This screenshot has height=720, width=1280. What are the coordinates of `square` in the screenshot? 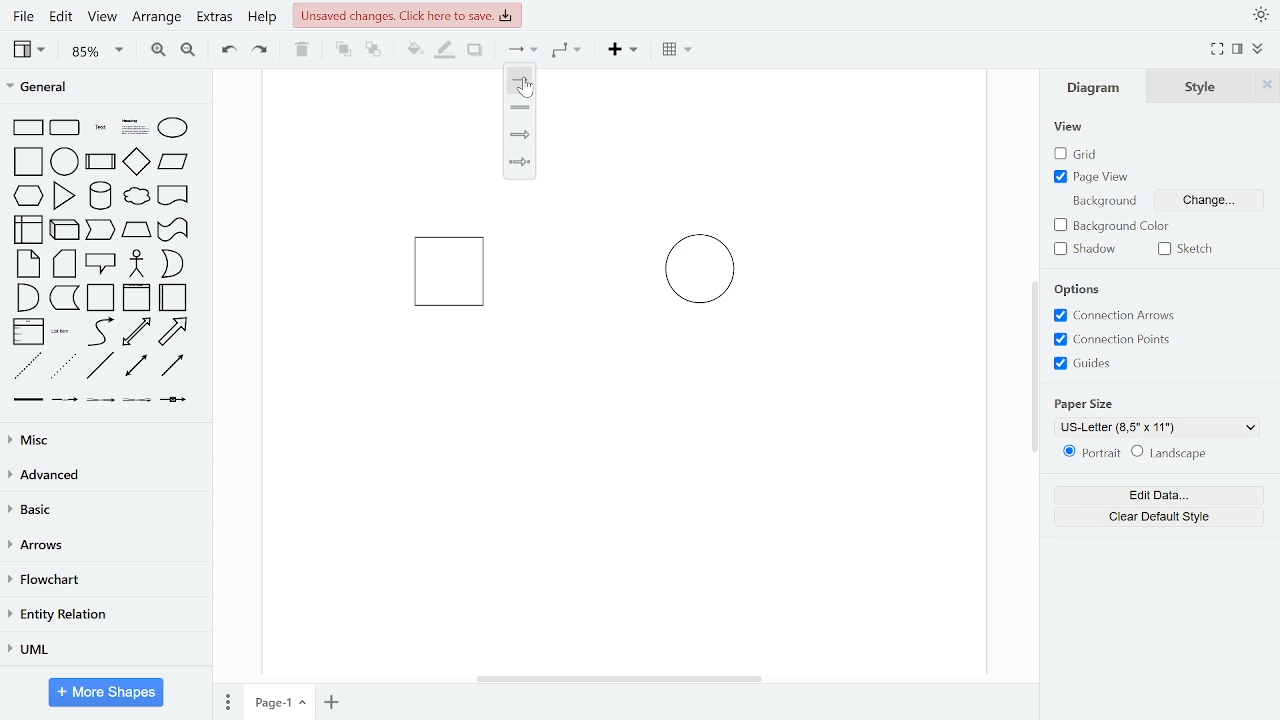 It's located at (30, 163).